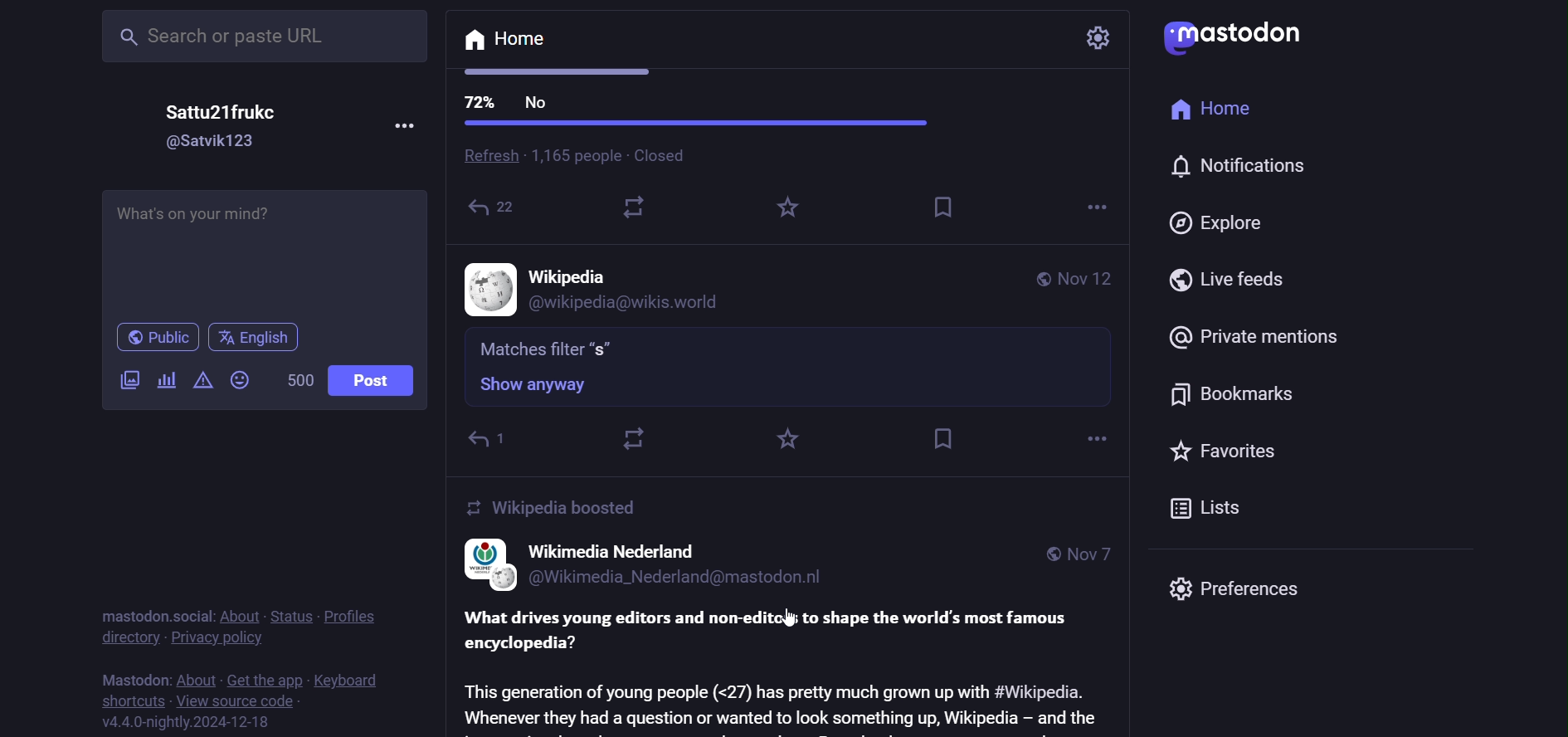 This screenshot has height=737, width=1568. What do you see at coordinates (296, 379) in the screenshot?
I see `word limit` at bounding box center [296, 379].